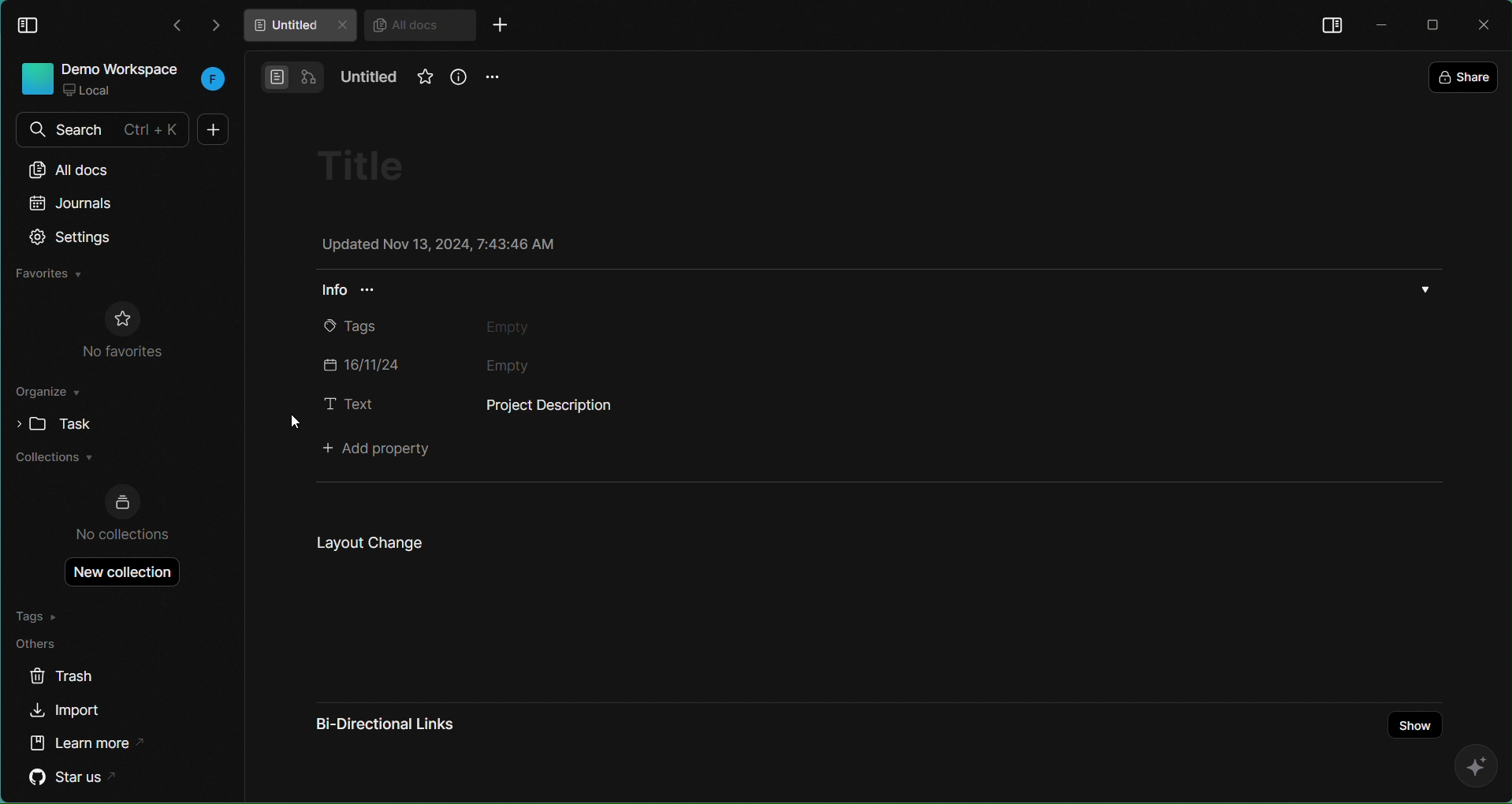 This screenshot has height=804, width=1512. Describe the element at coordinates (120, 80) in the screenshot. I see `Demo Workspace
[Jr (]` at that location.